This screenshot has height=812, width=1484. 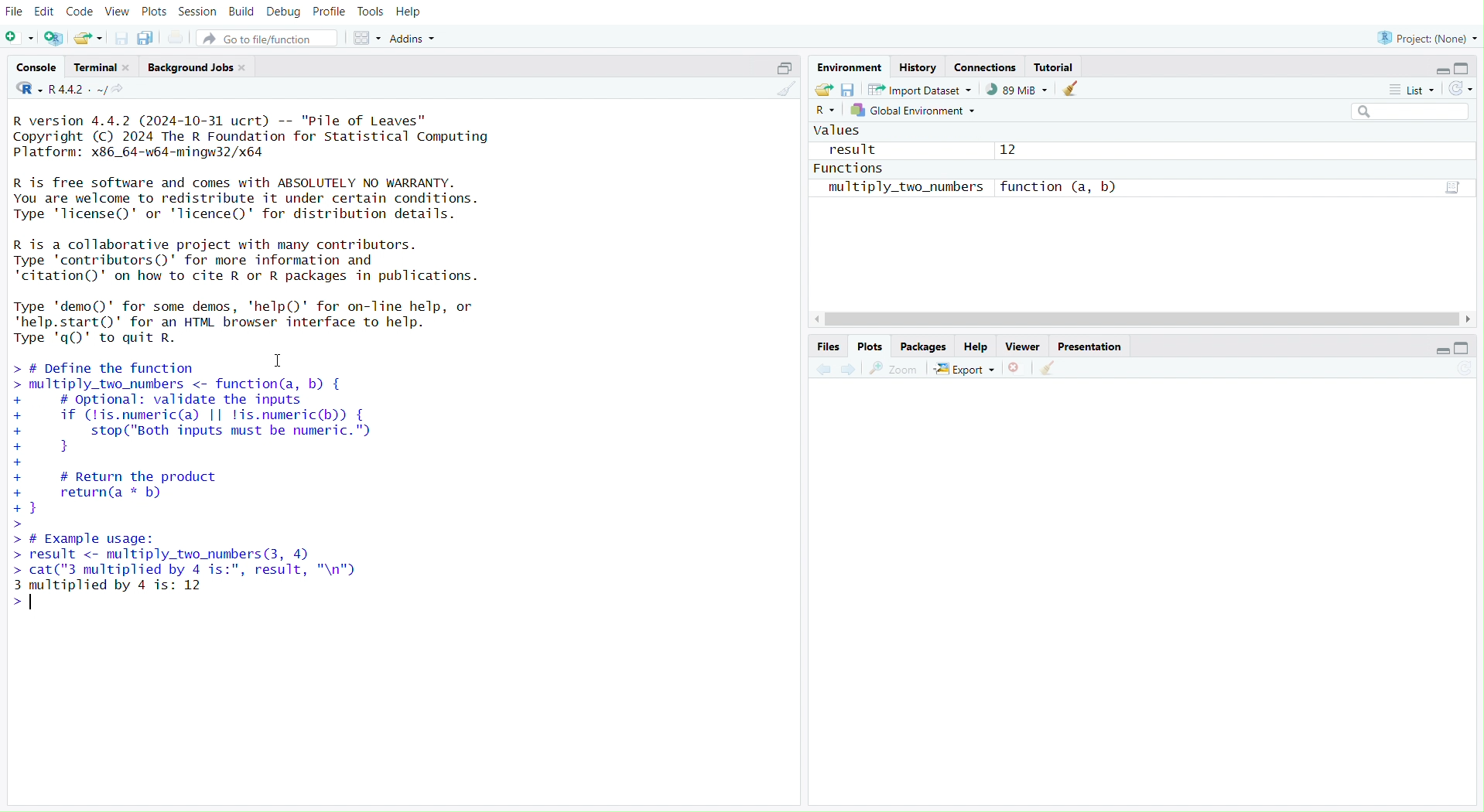 What do you see at coordinates (986, 67) in the screenshot?
I see `Connections` at bounding box center [986, 67].